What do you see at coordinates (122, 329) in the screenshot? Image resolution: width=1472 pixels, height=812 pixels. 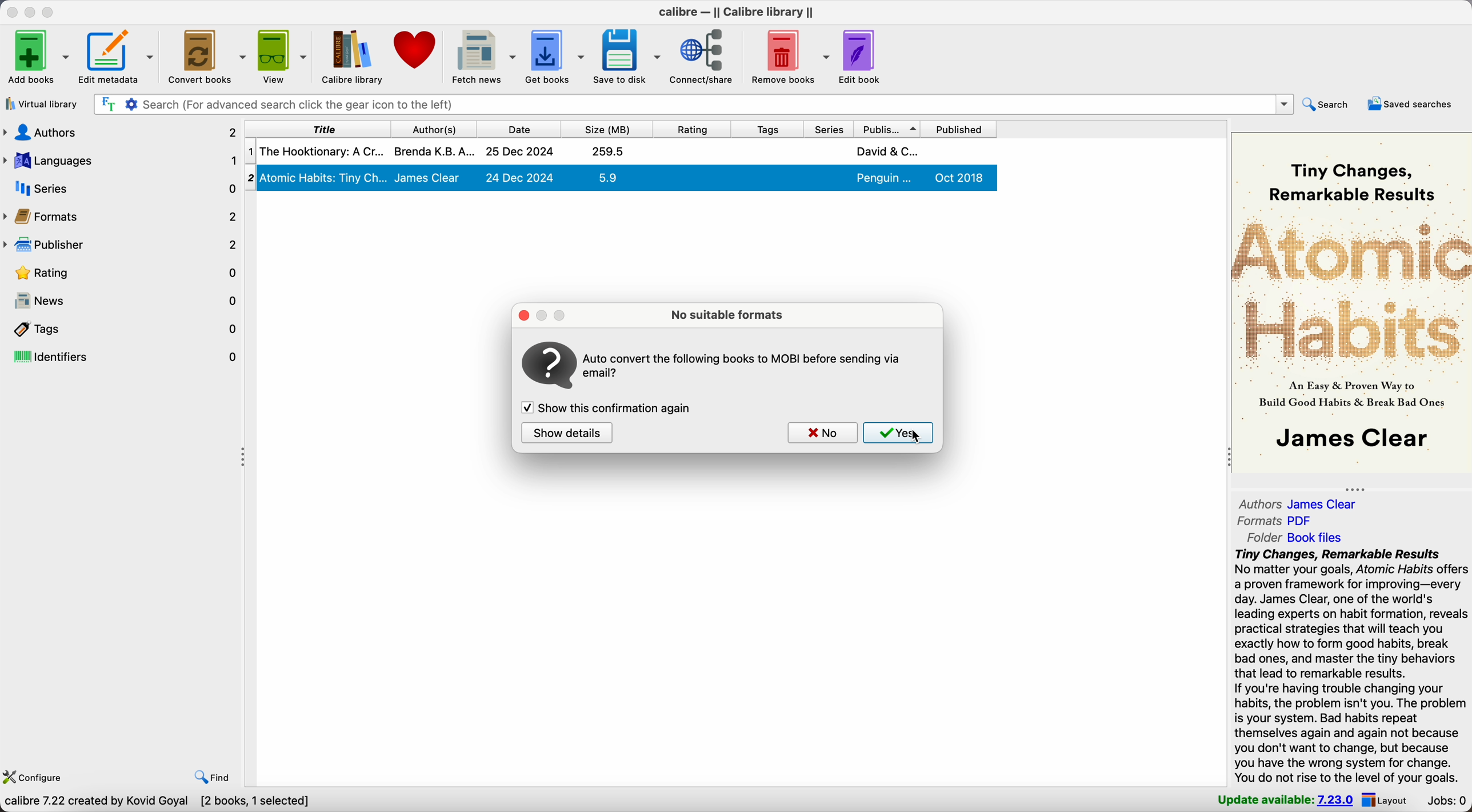 I see `tags` at bounding box center [122, 329].